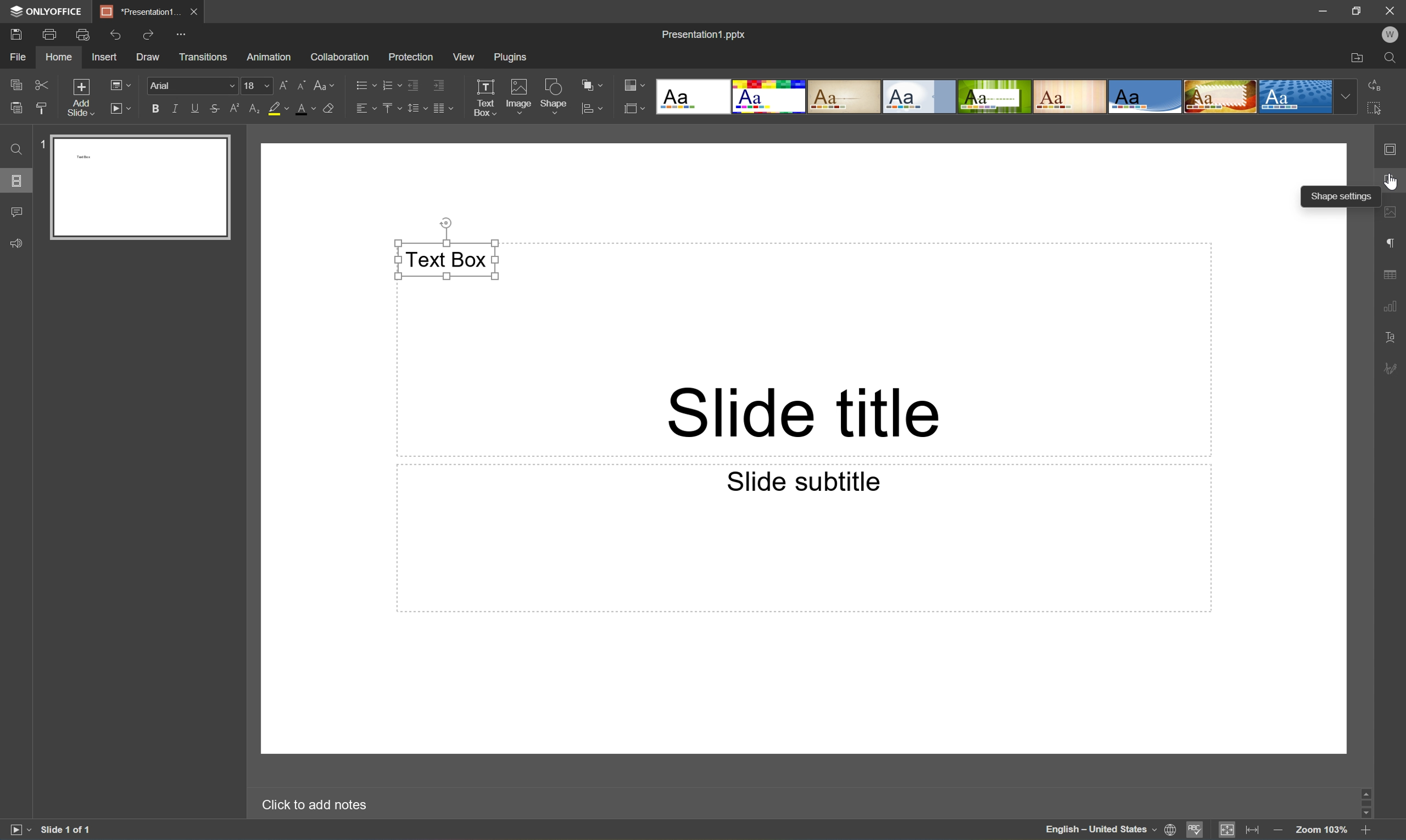  I want to click on 1, so click(43, 142).